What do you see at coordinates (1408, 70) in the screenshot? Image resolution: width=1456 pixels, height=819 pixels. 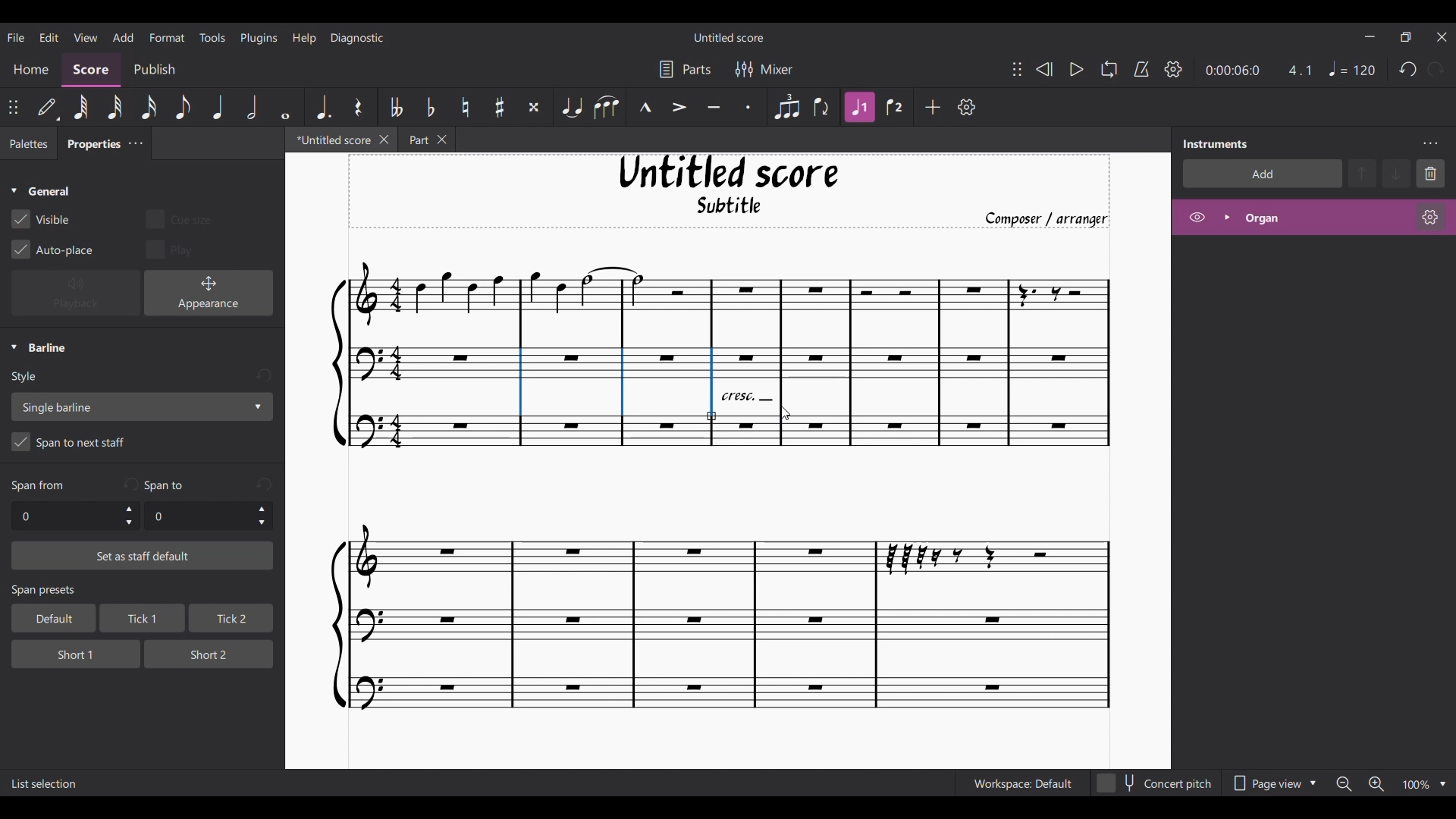 I see `Undo` at bounding box center [1408, 70].